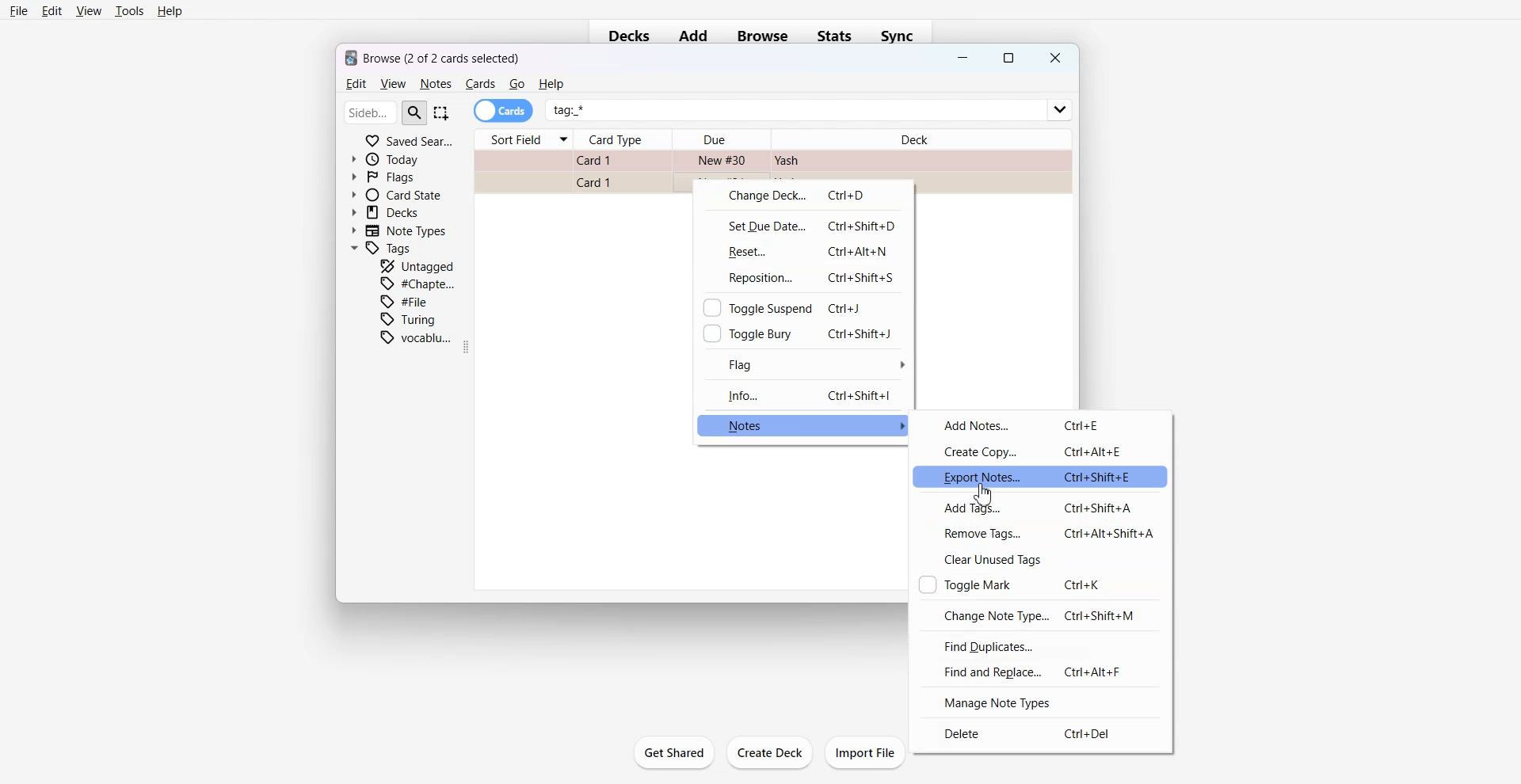 The height and width of the screenshot is (784, 1521). Describe the element at coordinates (673, 752) in the screenshot. I see `Get Shared` at that location.